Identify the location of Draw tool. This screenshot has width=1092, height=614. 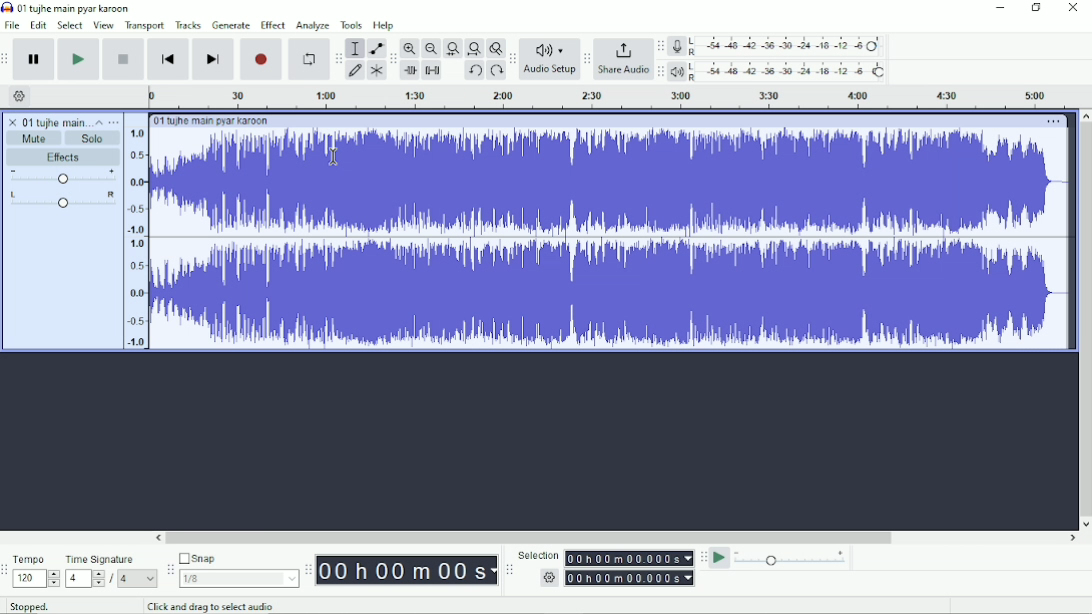
(355, 70).